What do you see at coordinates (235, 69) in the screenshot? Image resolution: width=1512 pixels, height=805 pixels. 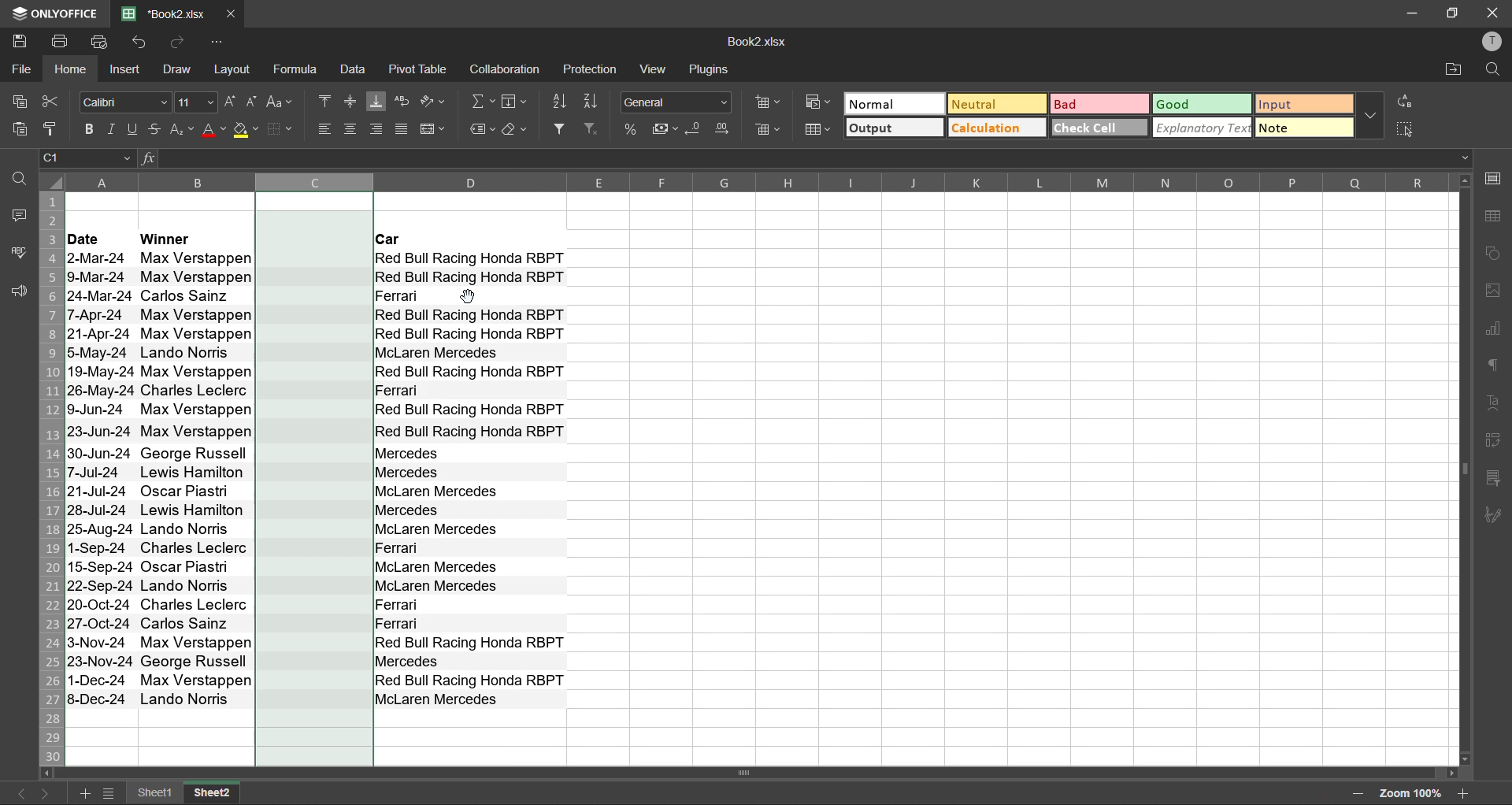 I see `layout` at bounding box center [235, 69].